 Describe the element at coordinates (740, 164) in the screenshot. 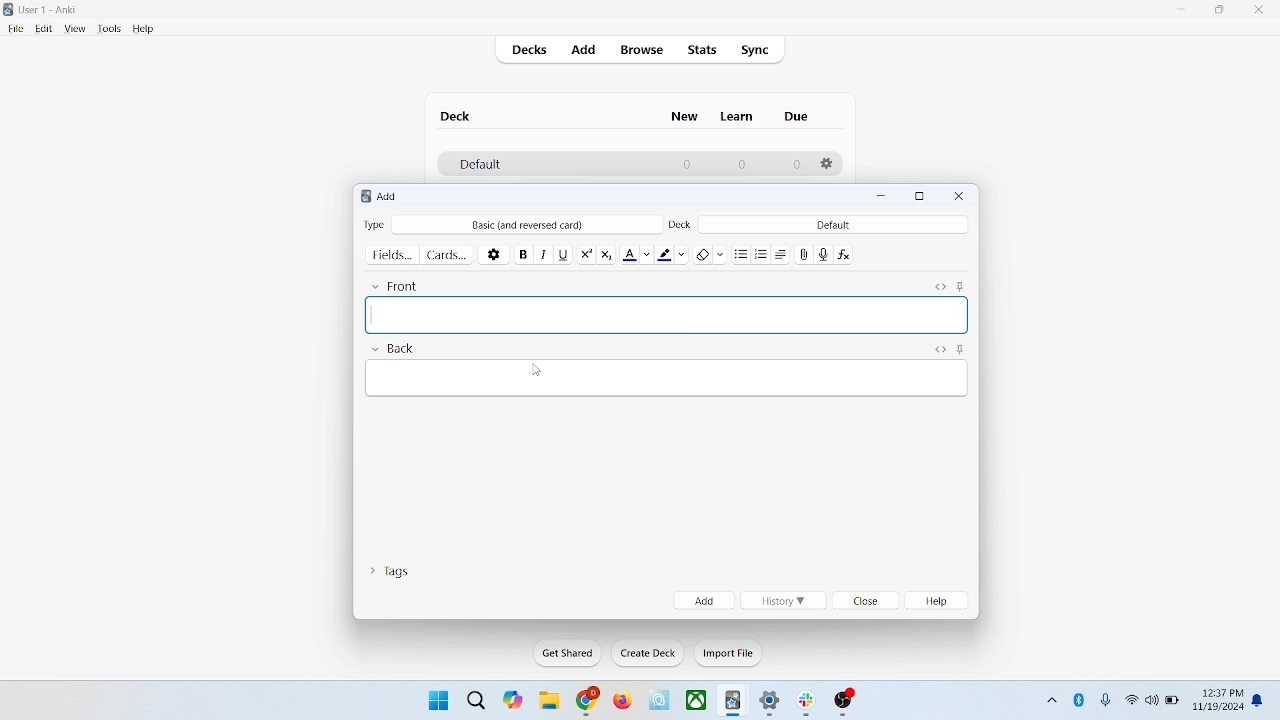

I see `0` at that location.